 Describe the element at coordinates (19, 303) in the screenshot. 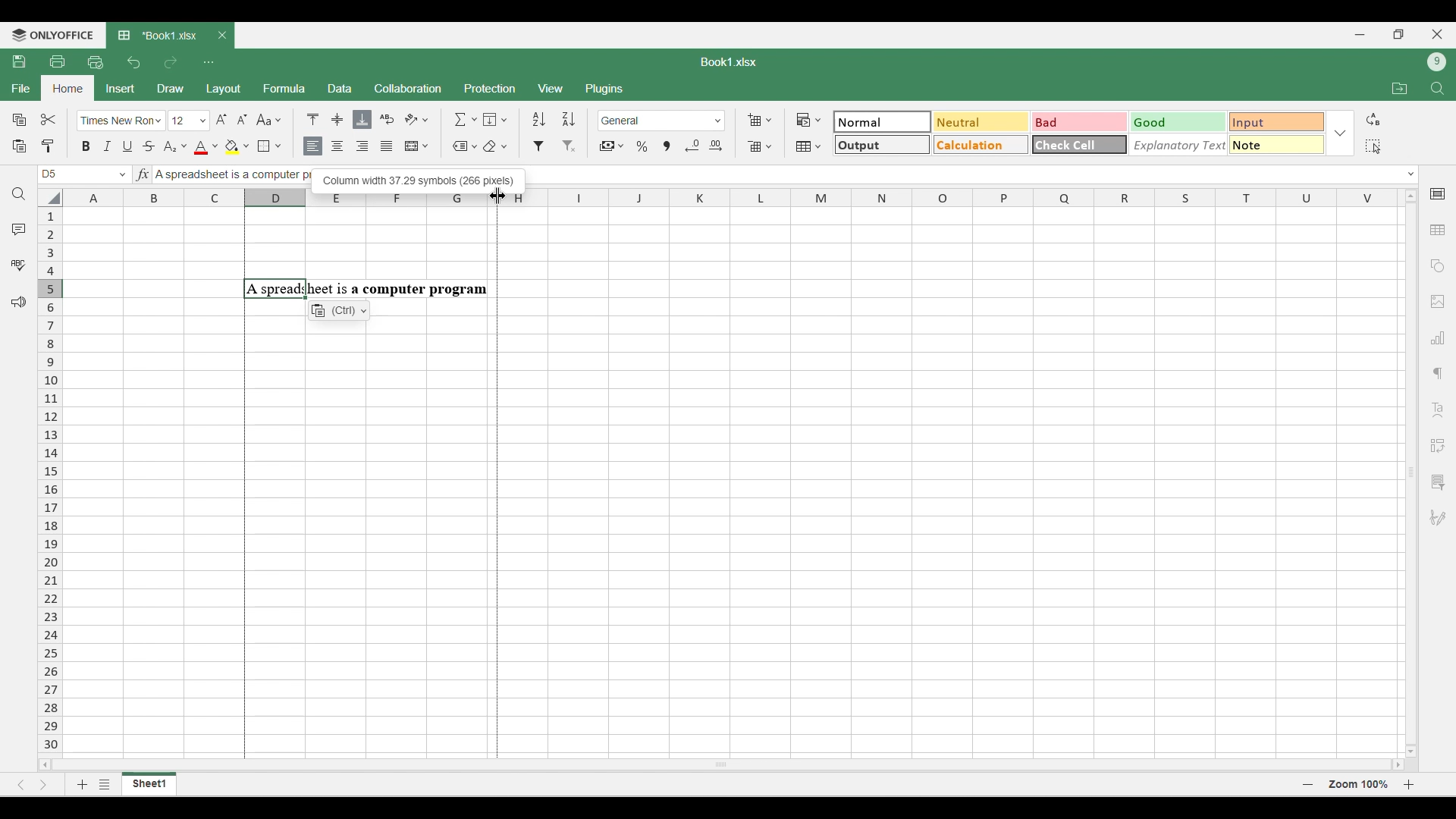

I see `Feedback and support` at that location.